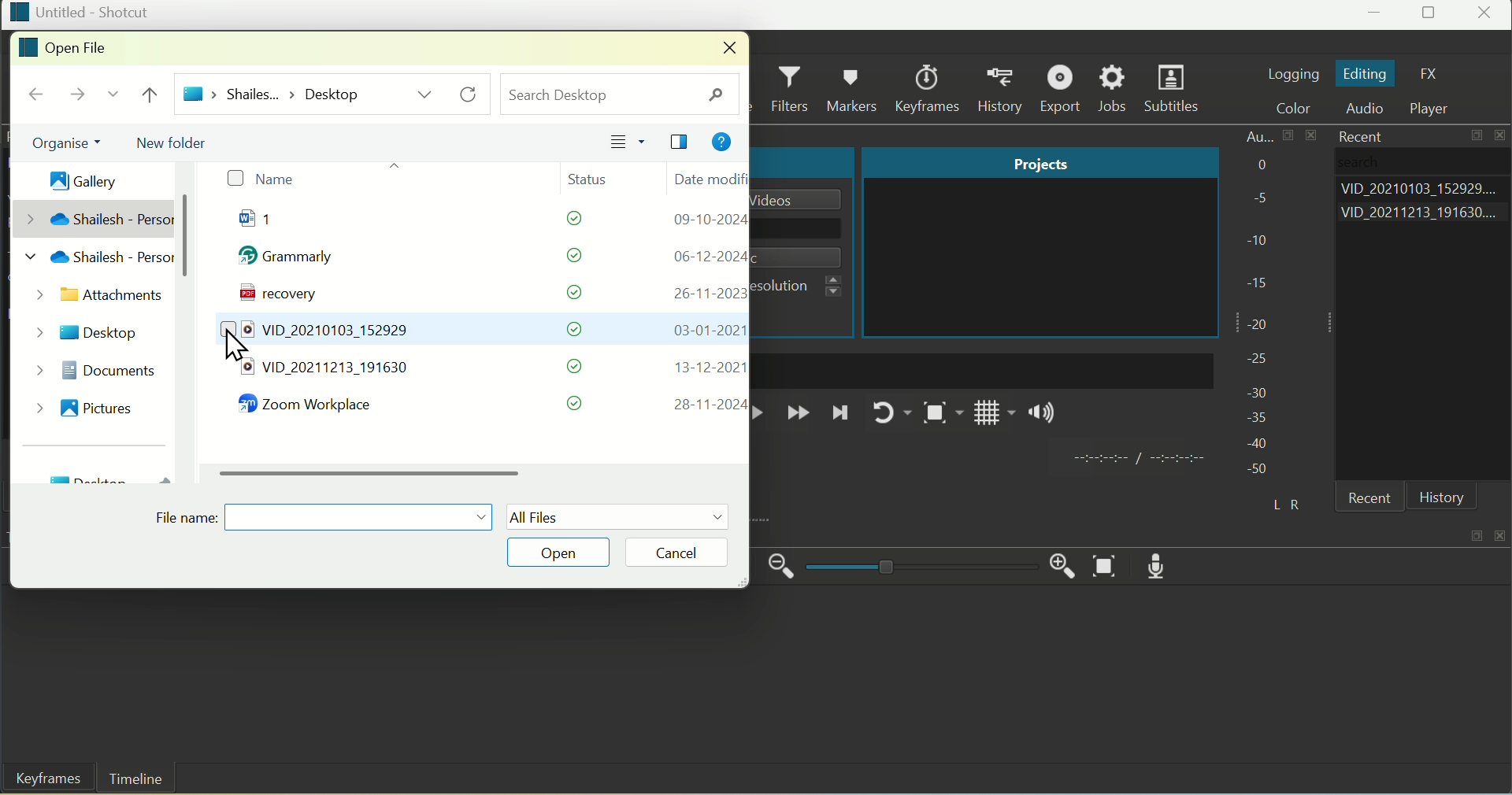 The image size is (1512, 795). I want to click on History, so click(1004, 89).